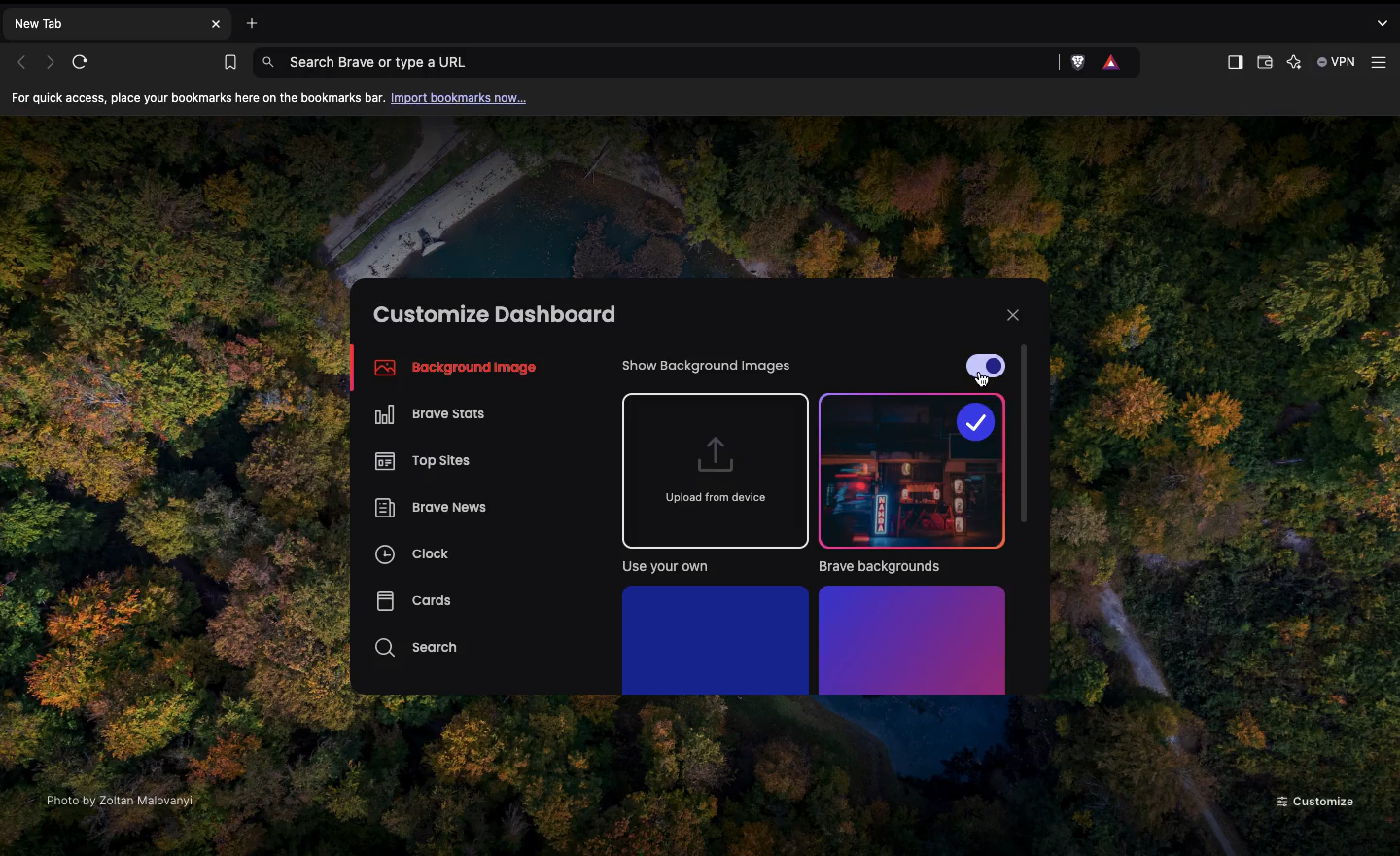 The image size is (1400, 856). I want to click on Brave backgrounds, so click(881, 565).